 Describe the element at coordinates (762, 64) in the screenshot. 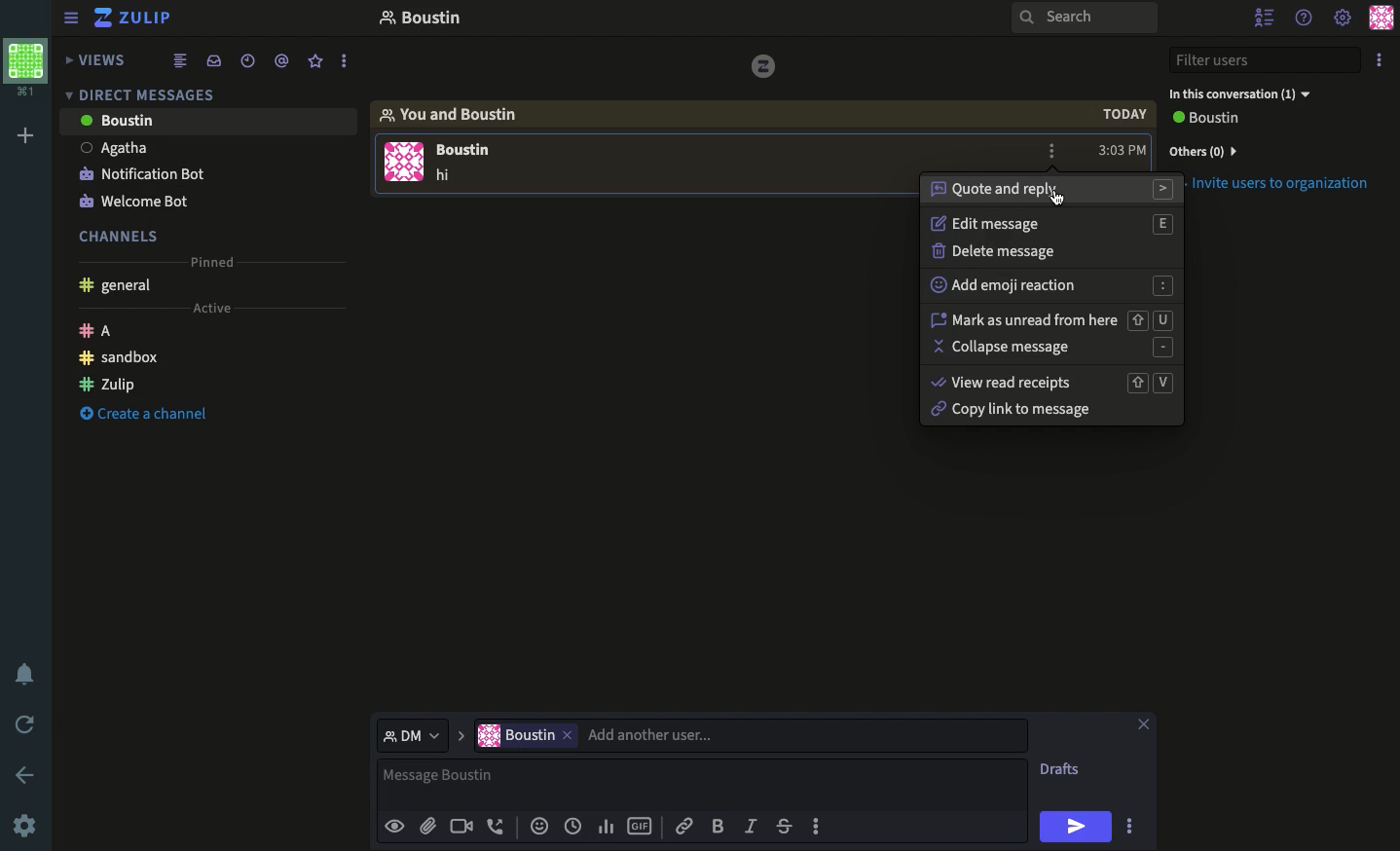

I see `vice versa` at that location.